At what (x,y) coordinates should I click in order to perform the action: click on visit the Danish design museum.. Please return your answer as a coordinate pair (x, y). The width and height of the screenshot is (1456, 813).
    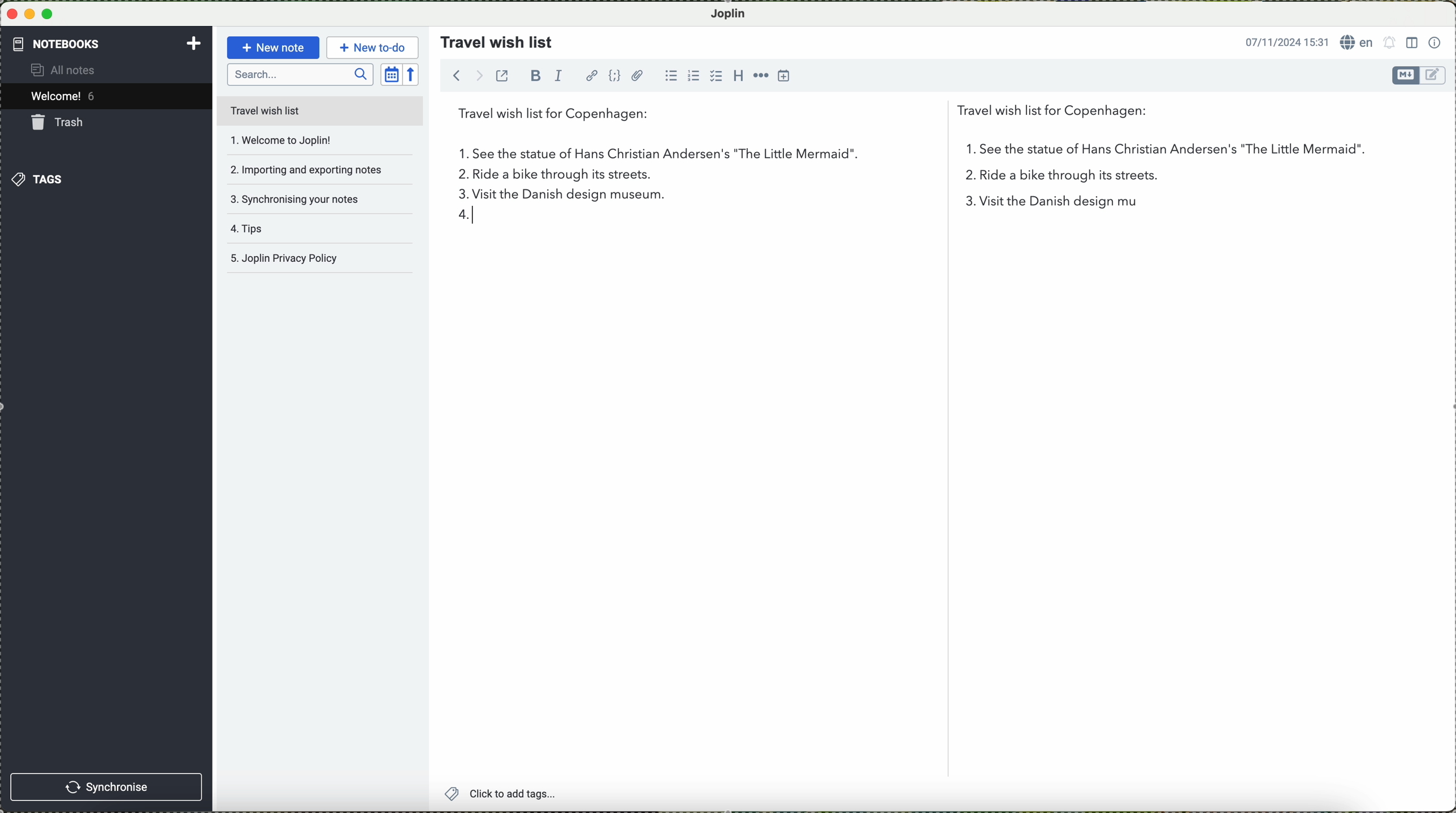
    Looking at the image, I should click on (809, 197).